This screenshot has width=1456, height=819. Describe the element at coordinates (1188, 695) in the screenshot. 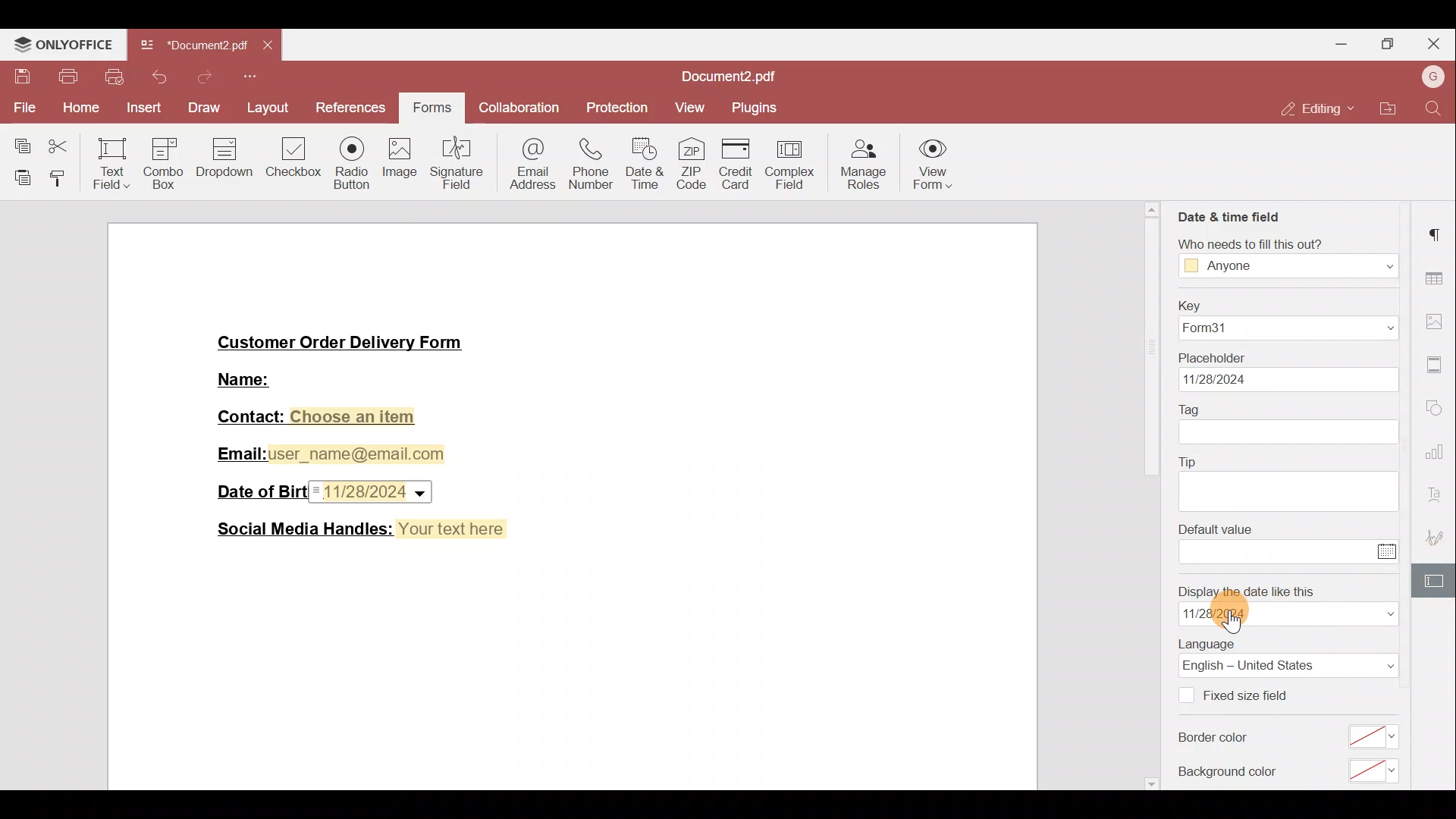

I see `Checkbox ` at that location.